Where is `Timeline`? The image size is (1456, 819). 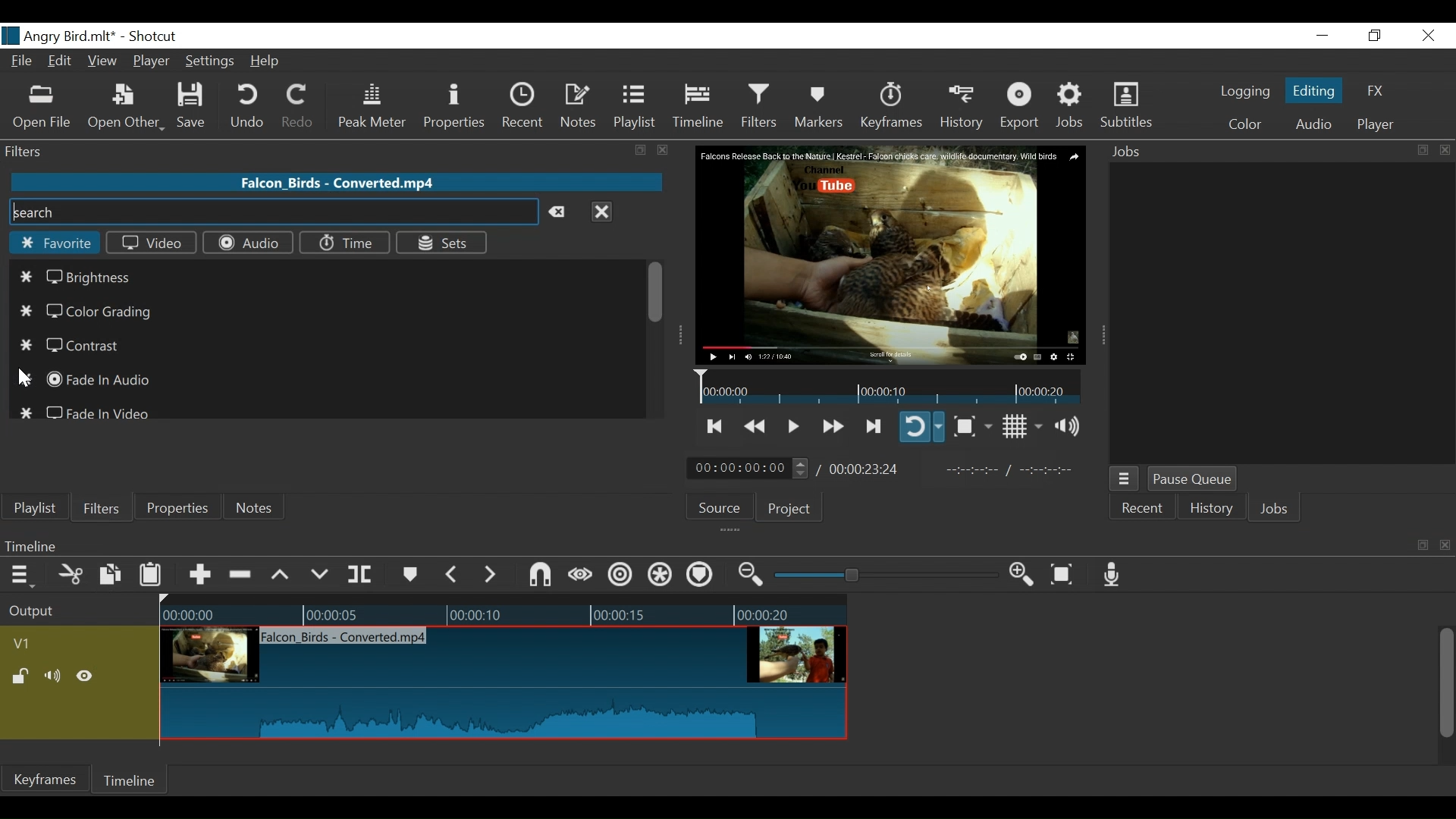 Timeline is located at coordinates (701, 545).